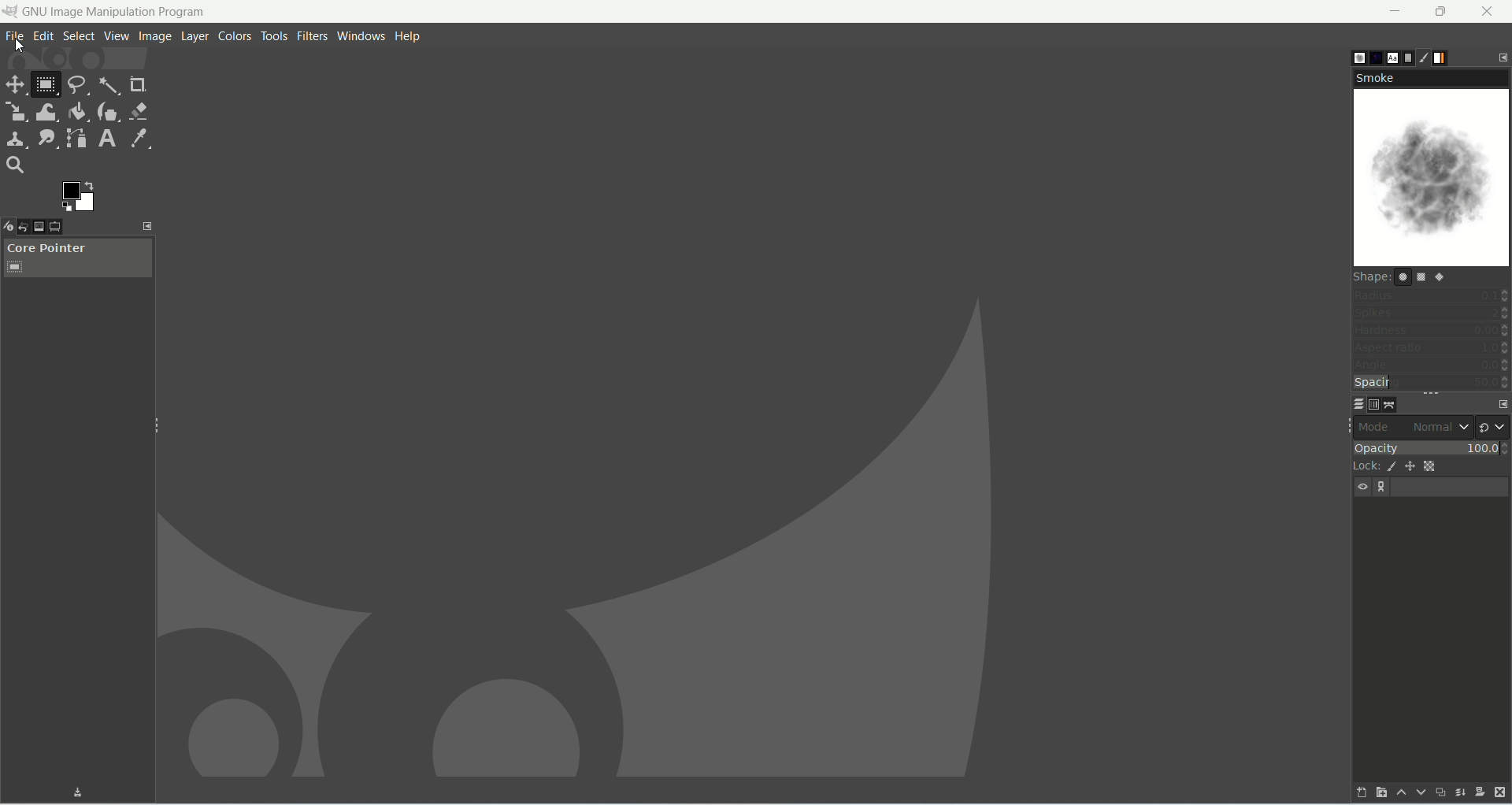 This screenshot has height=805, width=1512. I want to click on maximize, so click(1440, 11).